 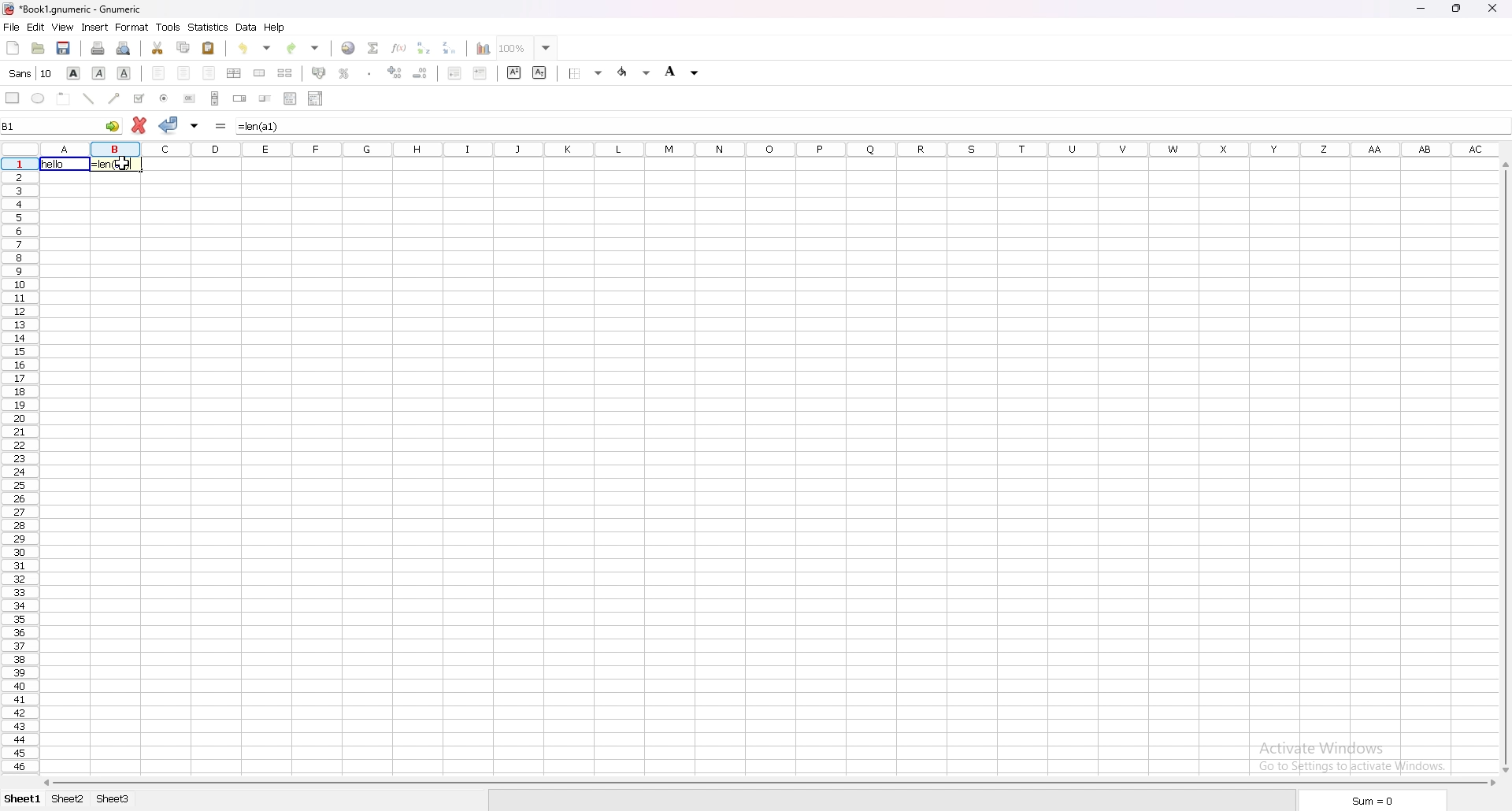 I want to click on split merged, so click(x=286, y=73).